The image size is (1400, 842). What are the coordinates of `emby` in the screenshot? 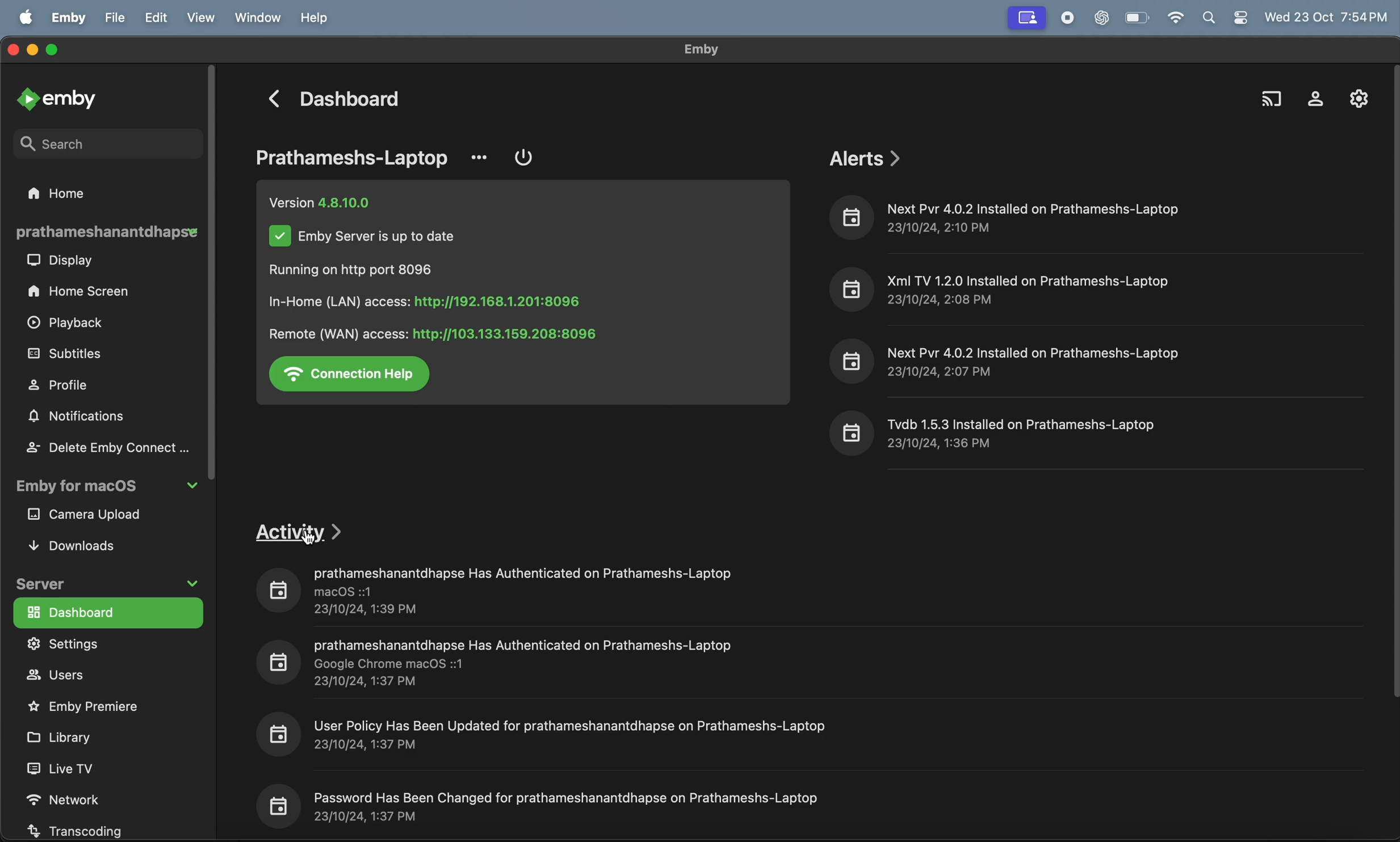 It's located at (70, 17).